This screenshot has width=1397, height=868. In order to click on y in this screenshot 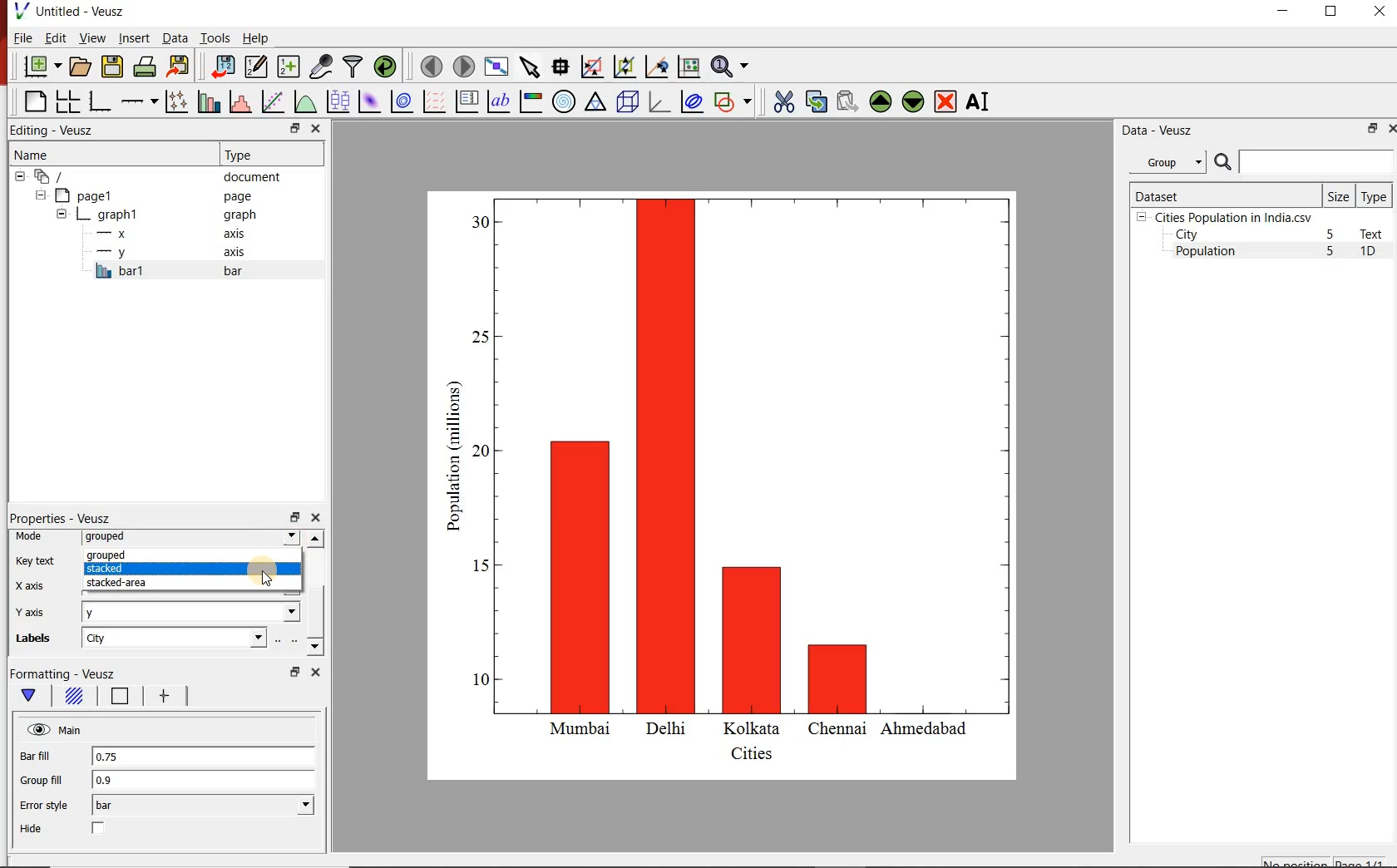, I will do `click(191, 611)`.